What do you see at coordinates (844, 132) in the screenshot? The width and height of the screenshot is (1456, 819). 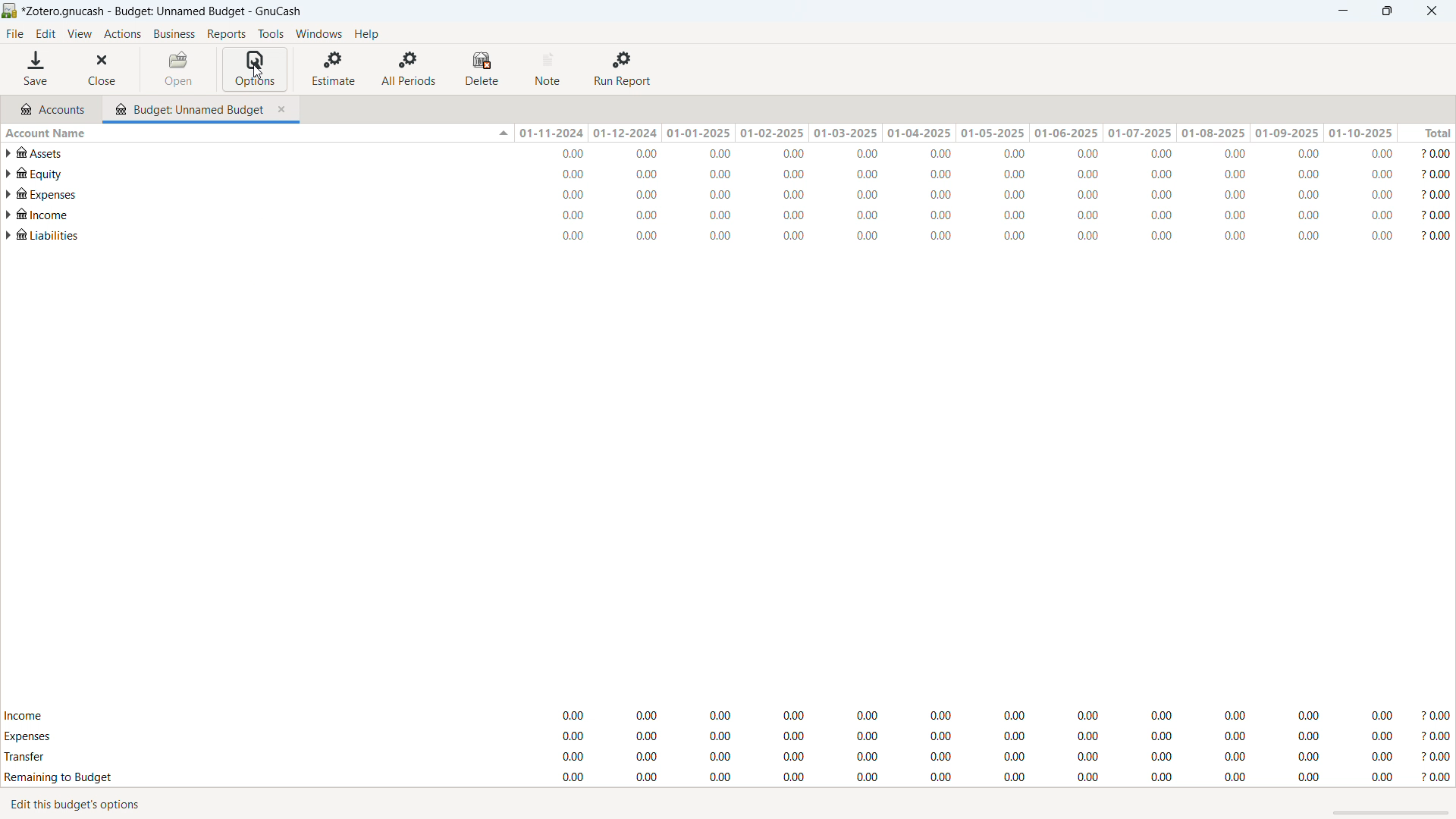 I see `01-03-2025` at bounding box center [844, 132].